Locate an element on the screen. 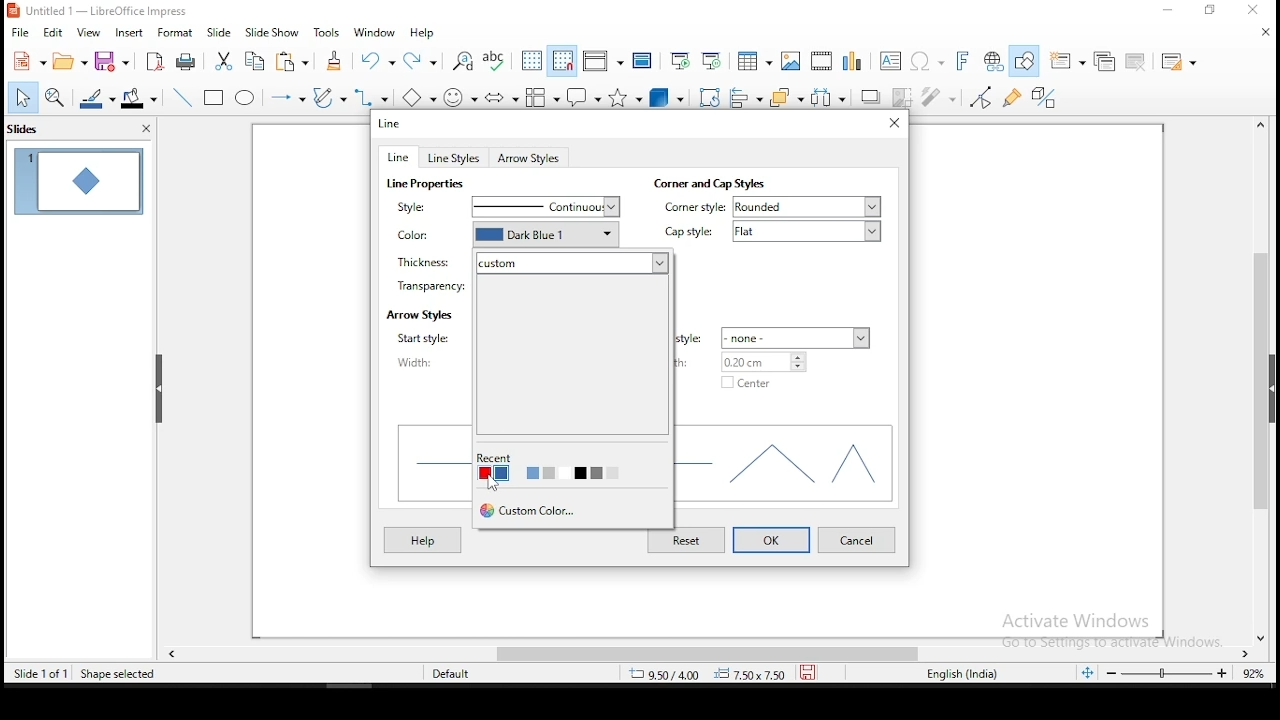  scroll bar is located at coordinates (1265, 376).